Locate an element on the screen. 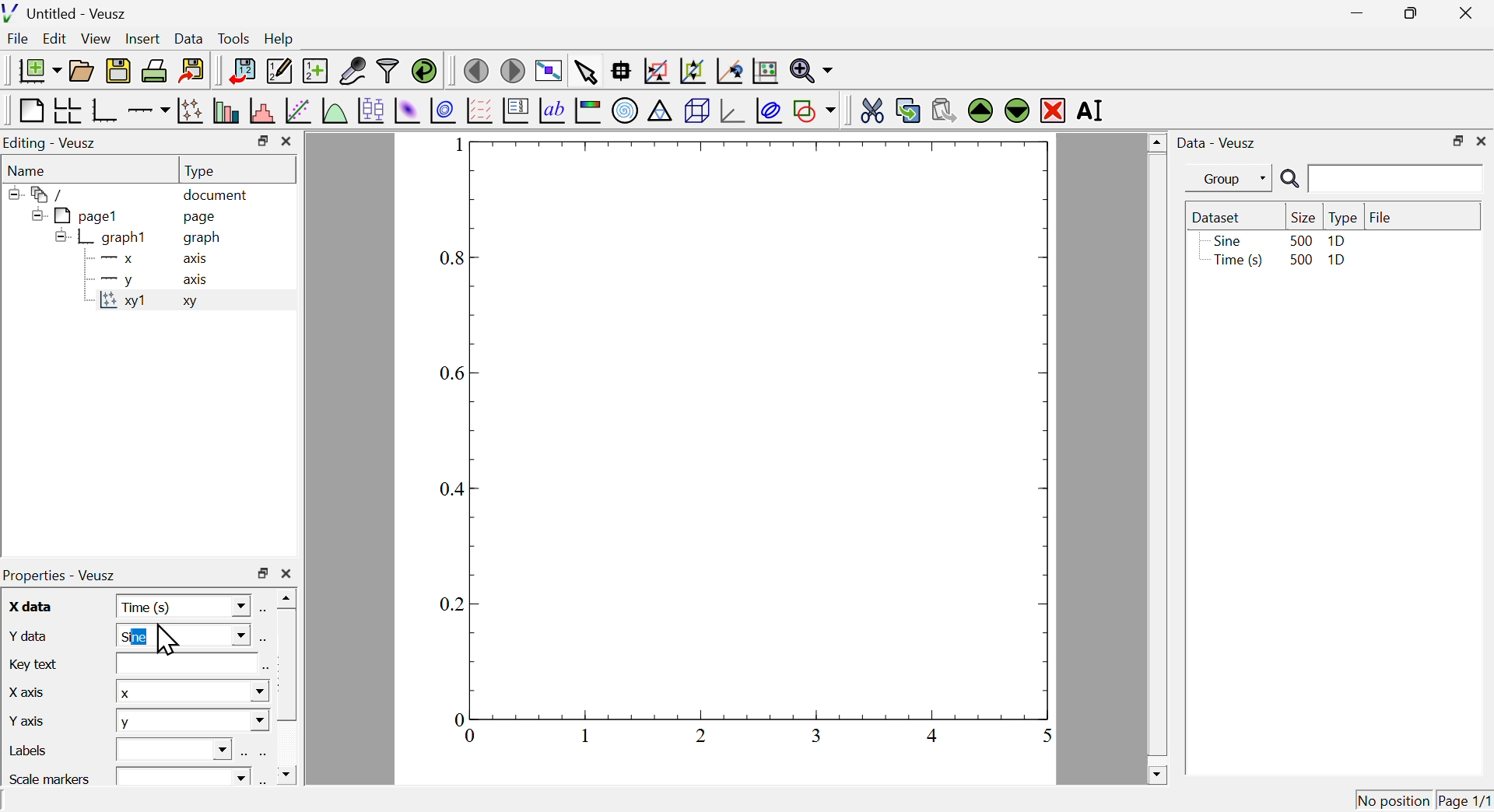 This screenshot has width=1494, height=812. maximize is located at coordinates (1407, 14).